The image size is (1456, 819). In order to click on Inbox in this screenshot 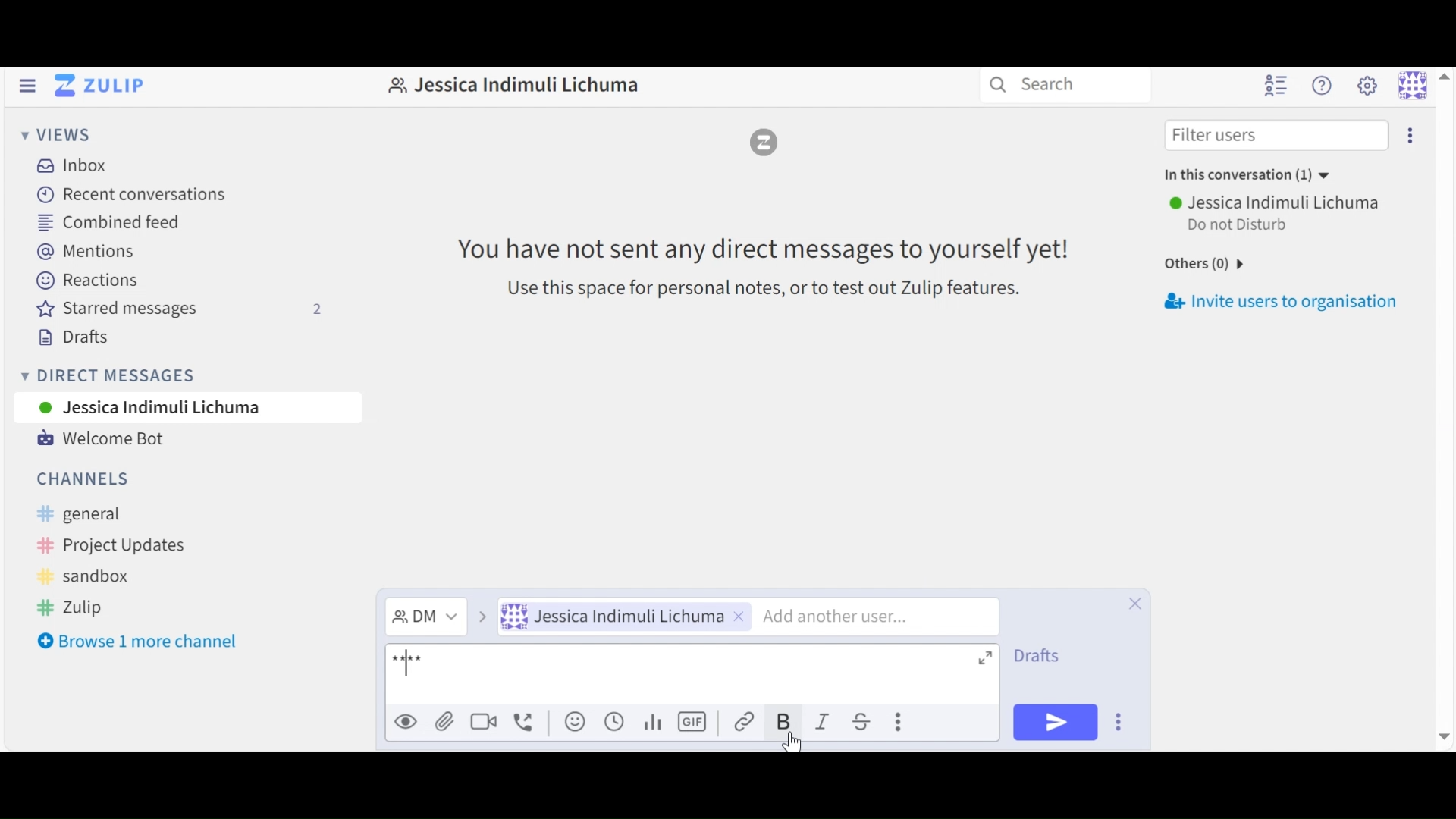, I will do `click(70, 165)`.